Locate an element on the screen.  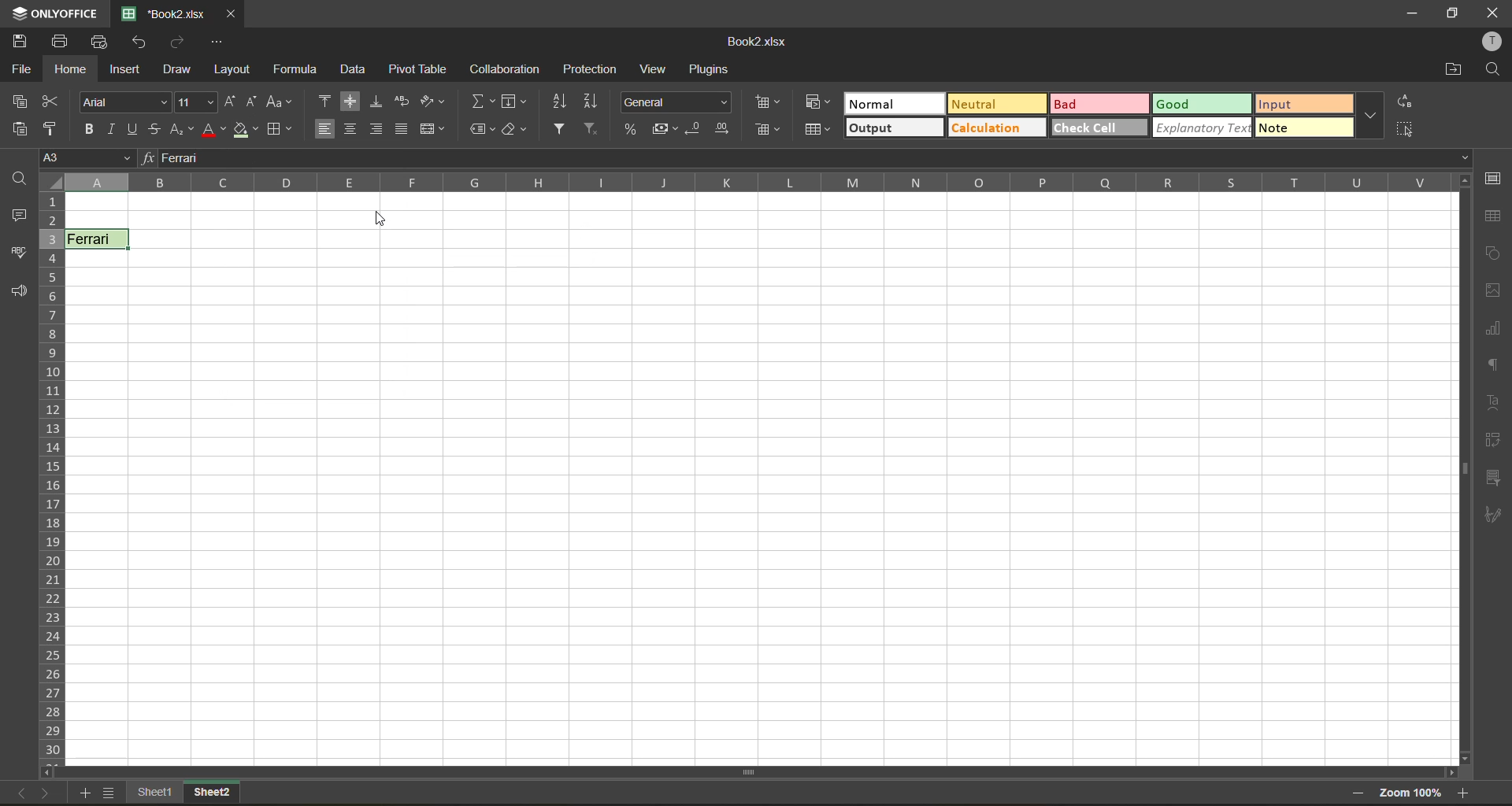
Cursor is located at coordinates (387, 222).